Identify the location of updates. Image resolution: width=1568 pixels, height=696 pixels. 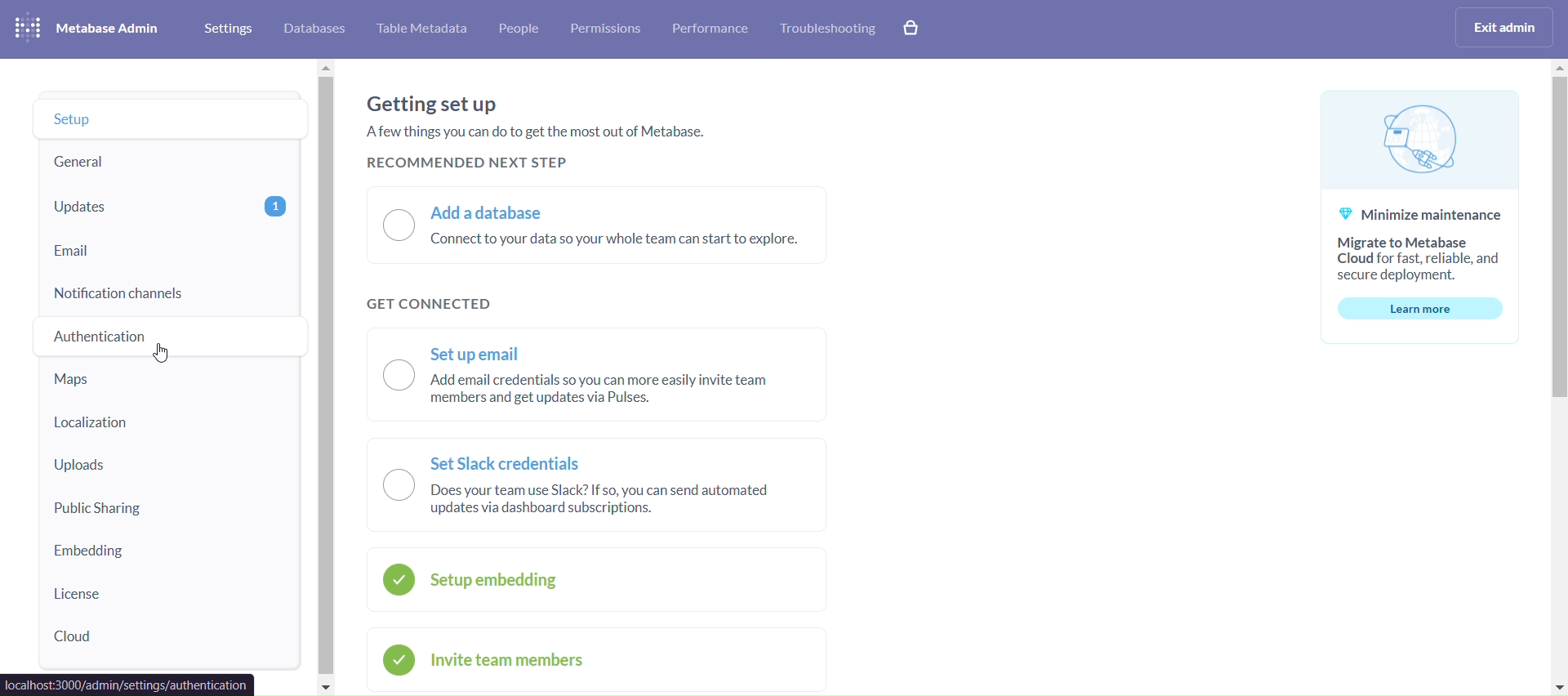
(170, 207).